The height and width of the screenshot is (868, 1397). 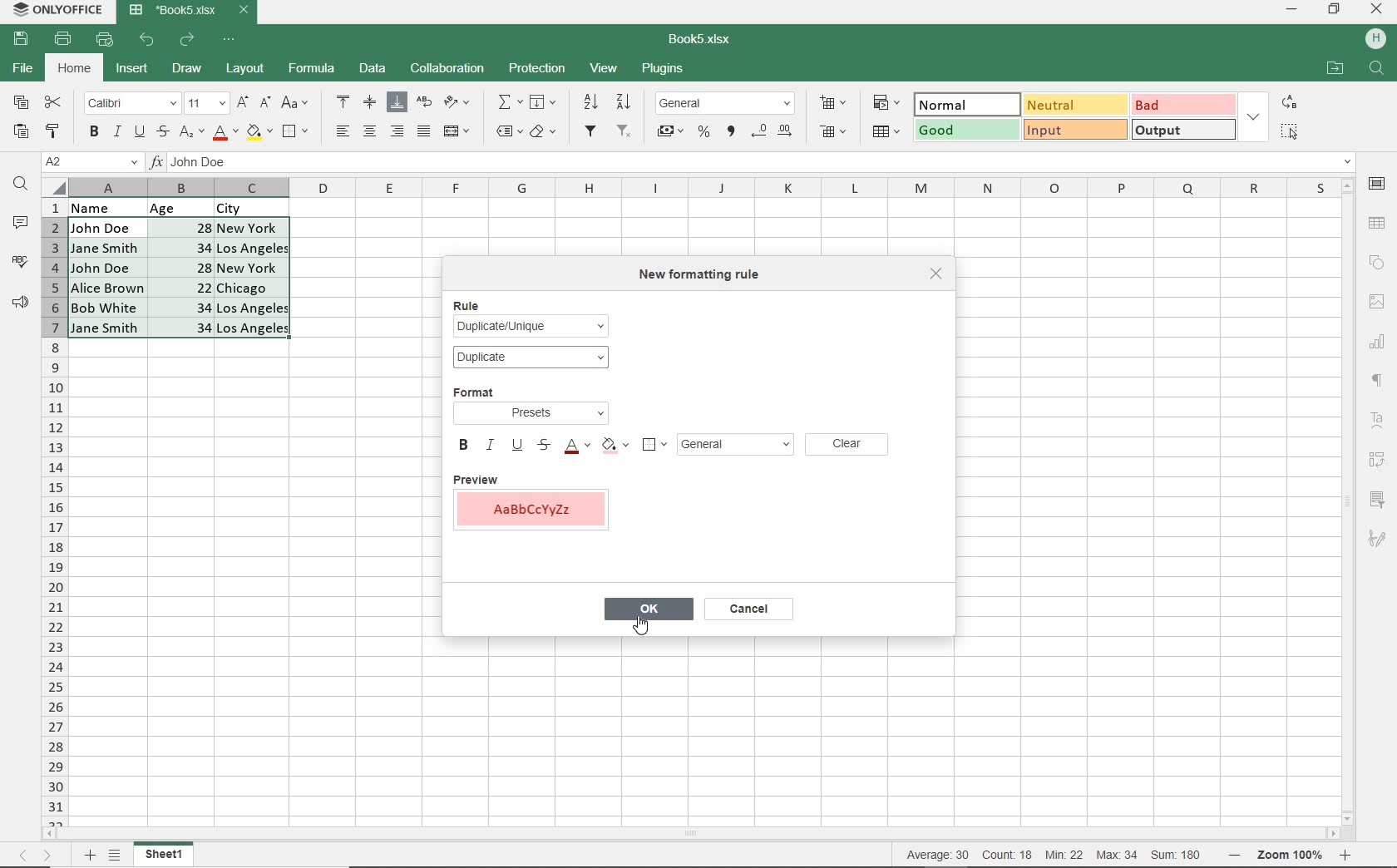 What do you see at coordinates (446, 69) in the screenshot?
I see `COLLABORATION` at bounding box center [446, 69].